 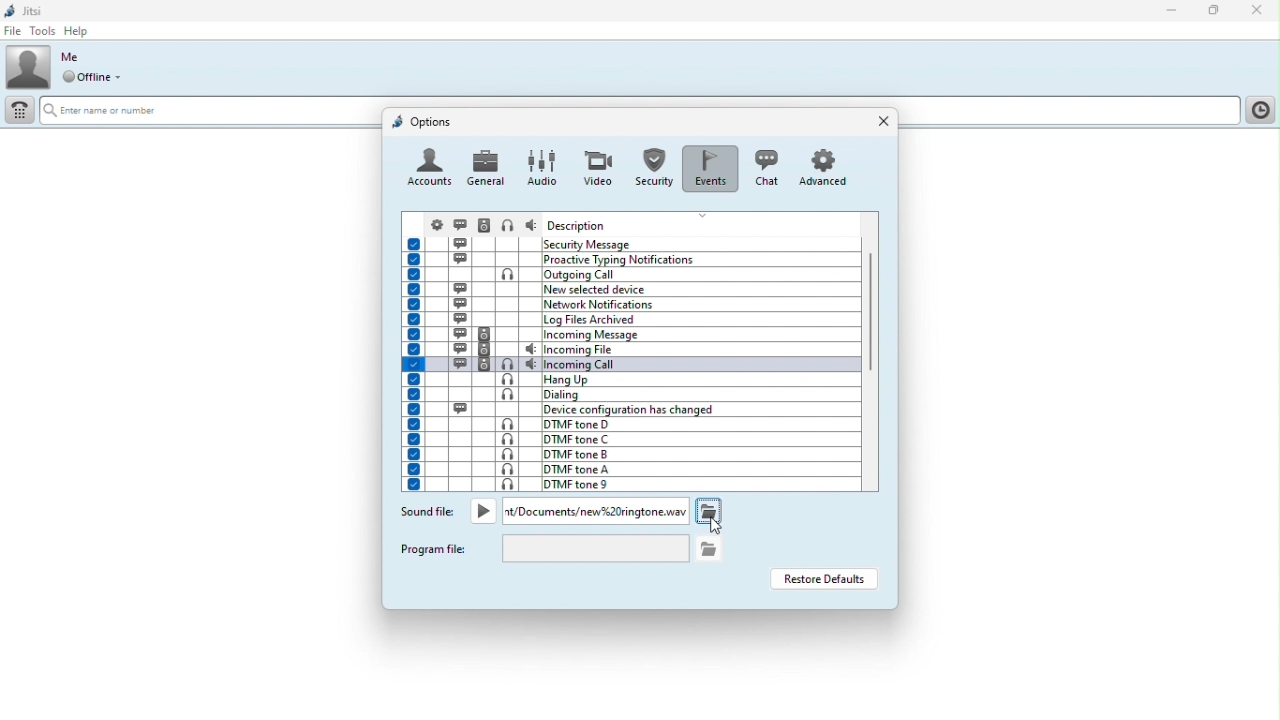 I want to click on E———, so click(x=110, y=110).